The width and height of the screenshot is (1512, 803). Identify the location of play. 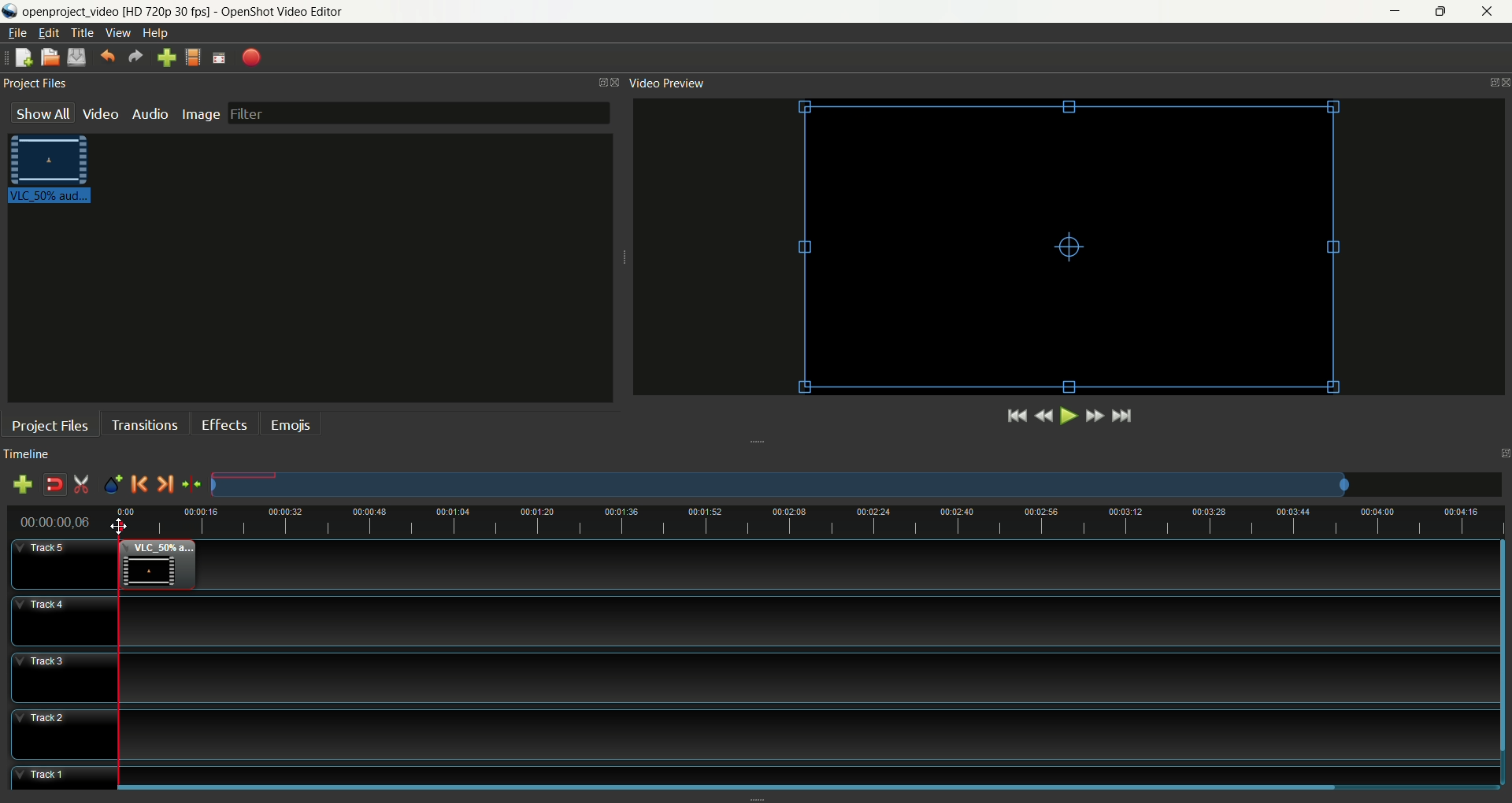
(1066, 416).